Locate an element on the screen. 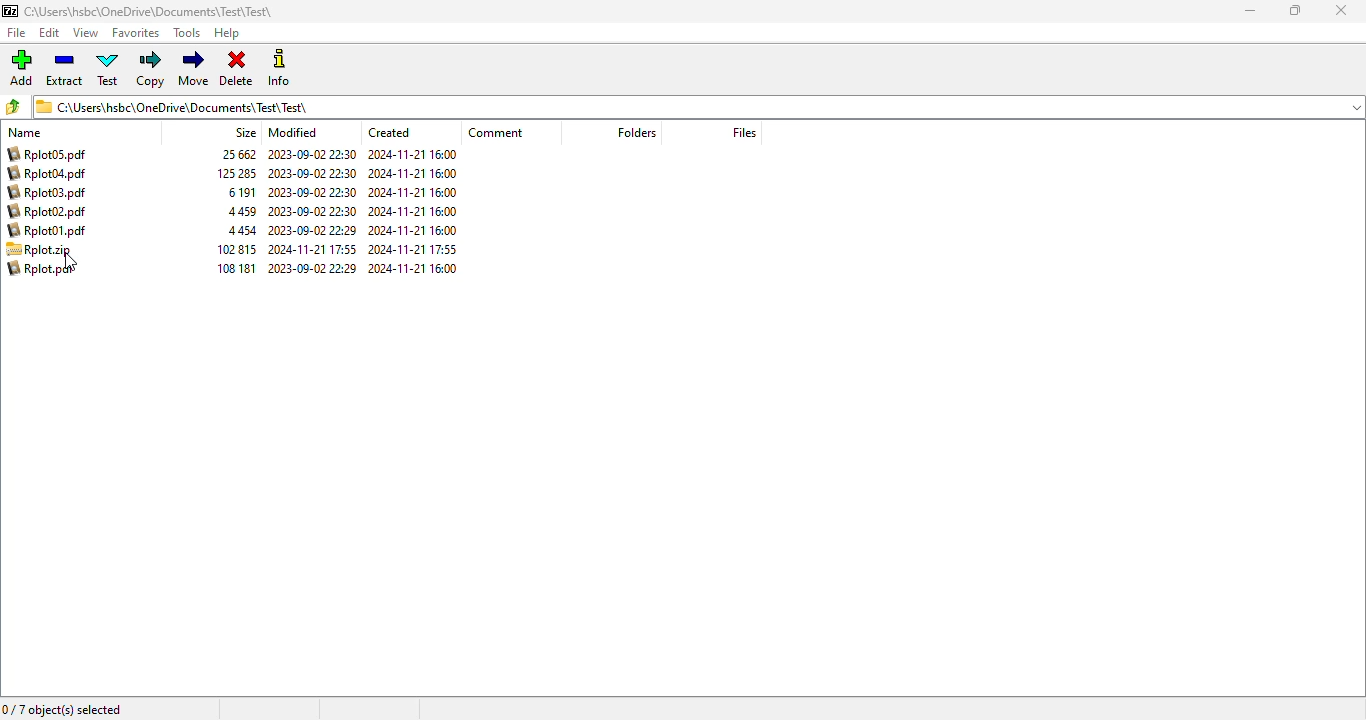  minimize is located at coordinates (1249, 11).